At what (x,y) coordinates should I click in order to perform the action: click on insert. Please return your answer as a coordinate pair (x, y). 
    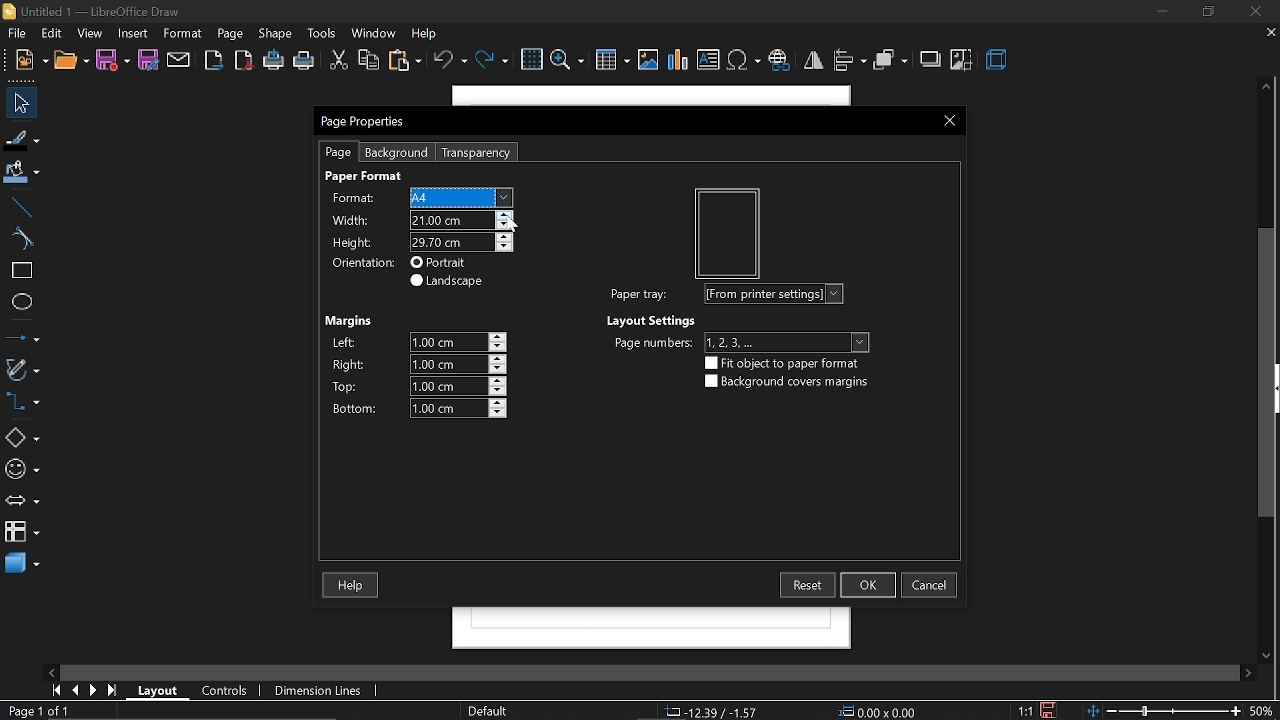
    Looking at the image, I should click on (130, 33).